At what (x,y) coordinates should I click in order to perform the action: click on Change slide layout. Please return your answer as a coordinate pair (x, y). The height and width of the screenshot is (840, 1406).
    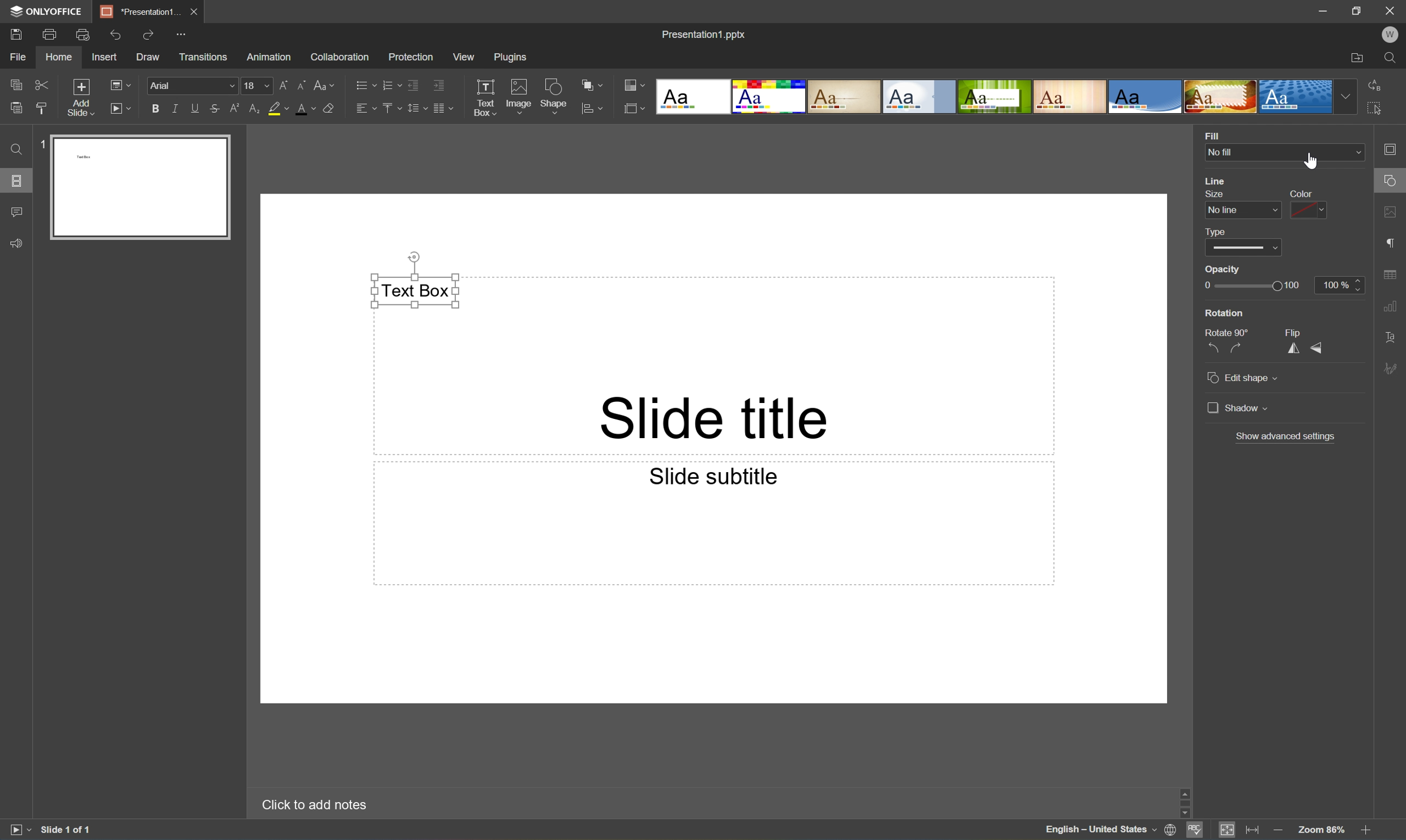
    Looking at the image, I should click on (119, 84).